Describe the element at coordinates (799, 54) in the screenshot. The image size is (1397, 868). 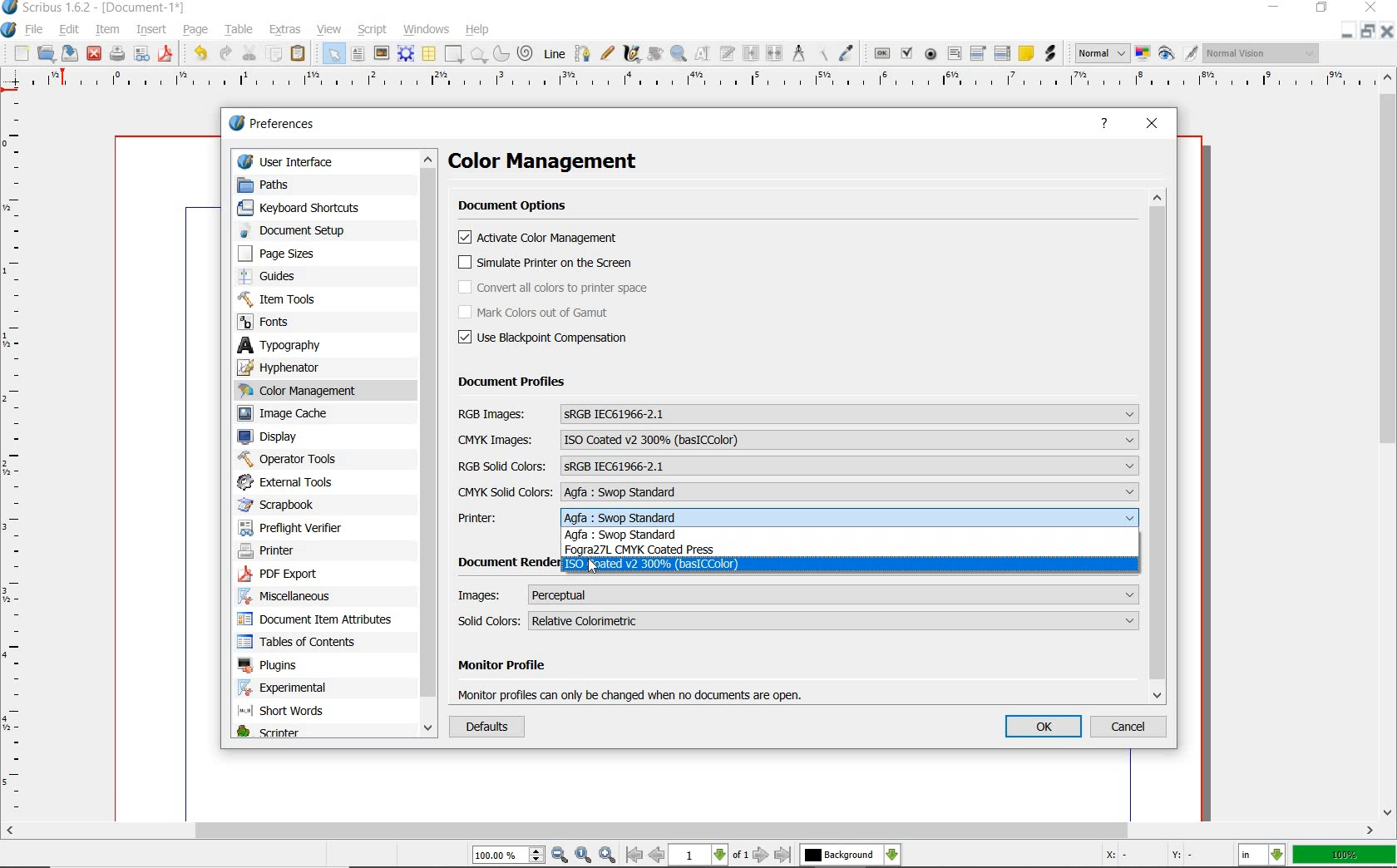
I see `measurements` at that location.